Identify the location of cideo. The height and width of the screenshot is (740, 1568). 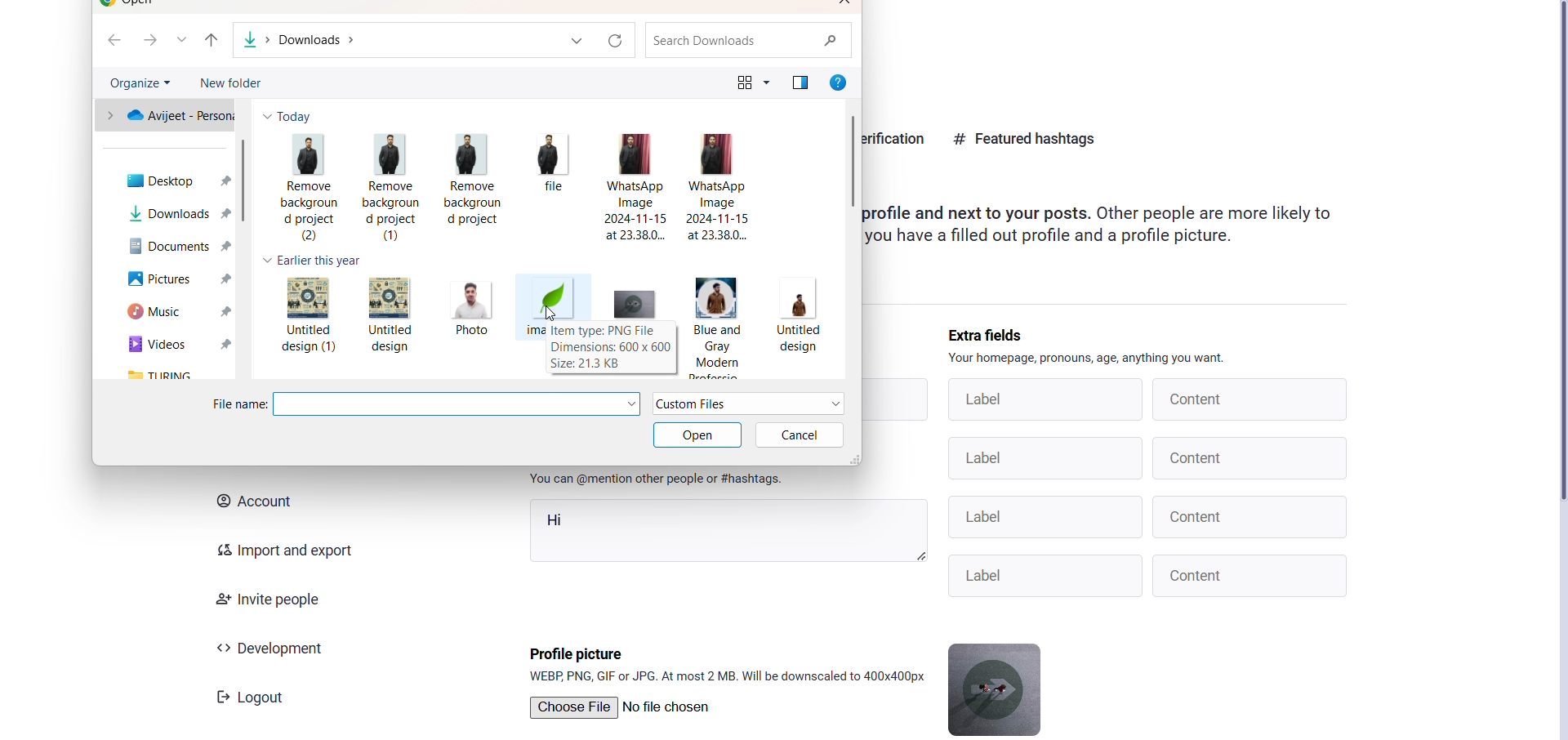
(180, 345).